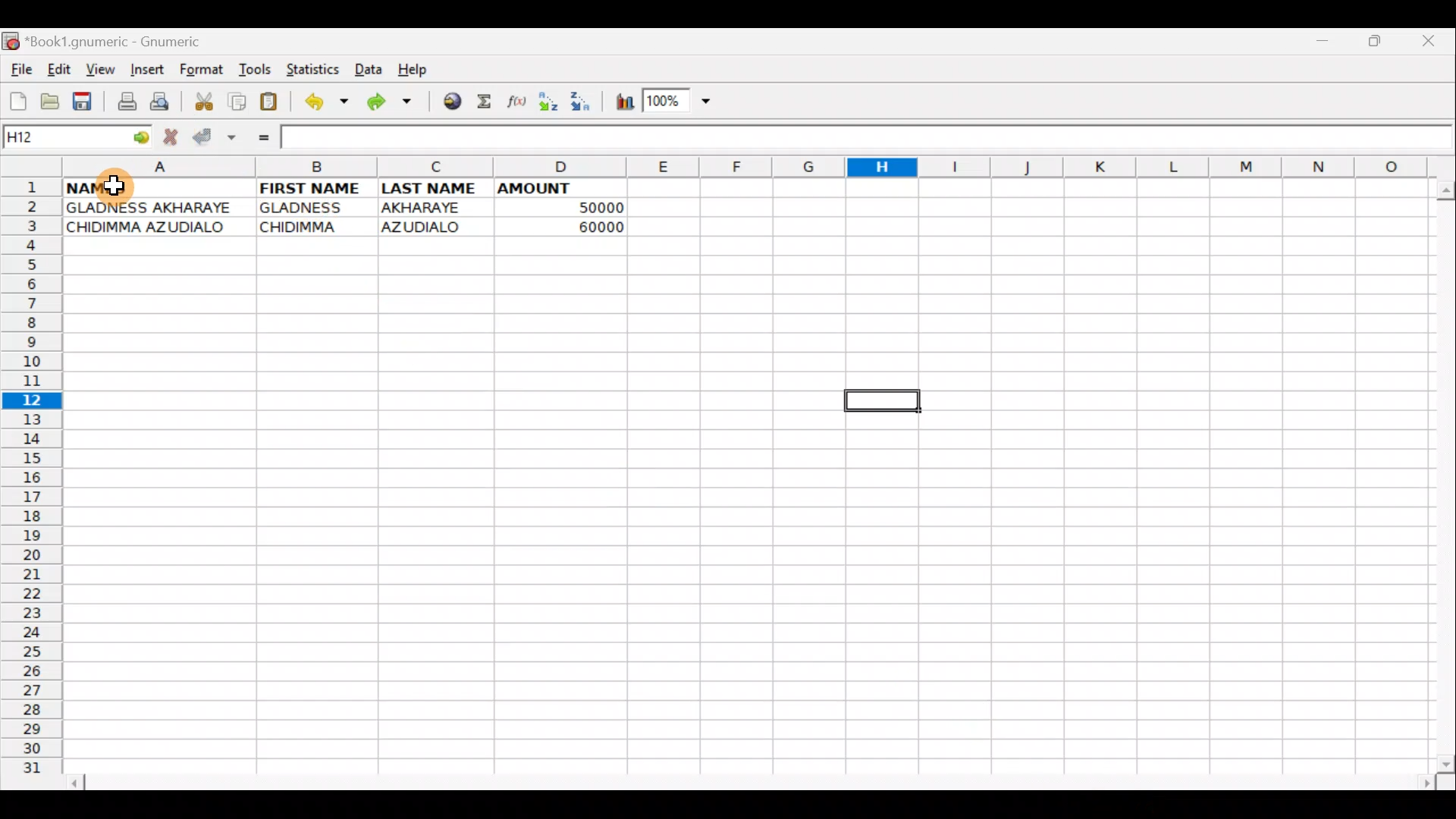 The height and width of the screenshot is (819, 1456). What do you see at coordinates (19, 101) in the screenshot?
I see `Create a new workbook` at bounding box center [19, 101].